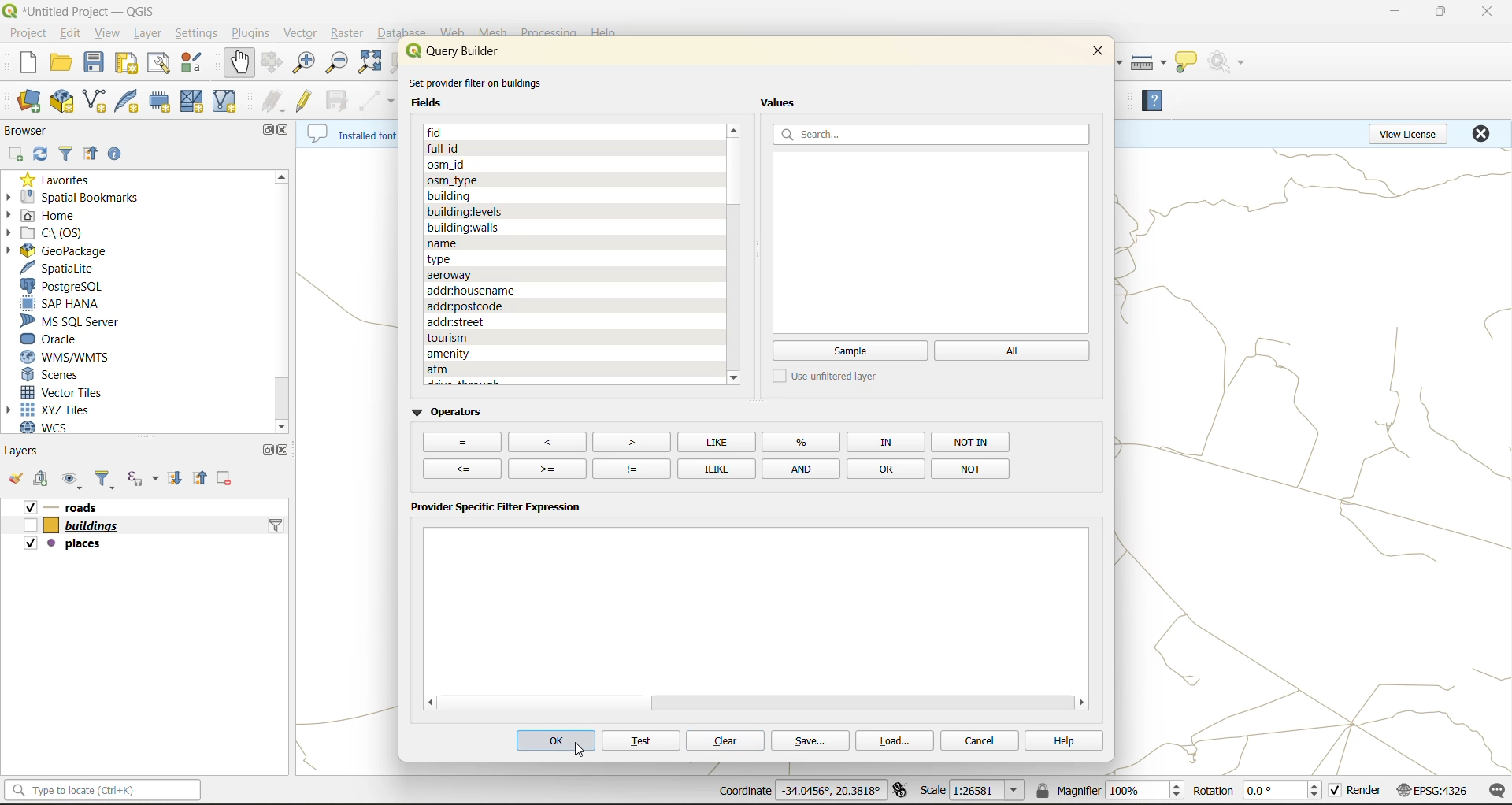  Describe the element at coordinates (1492, 790) in the screenshot. I see `log messages` at that location.